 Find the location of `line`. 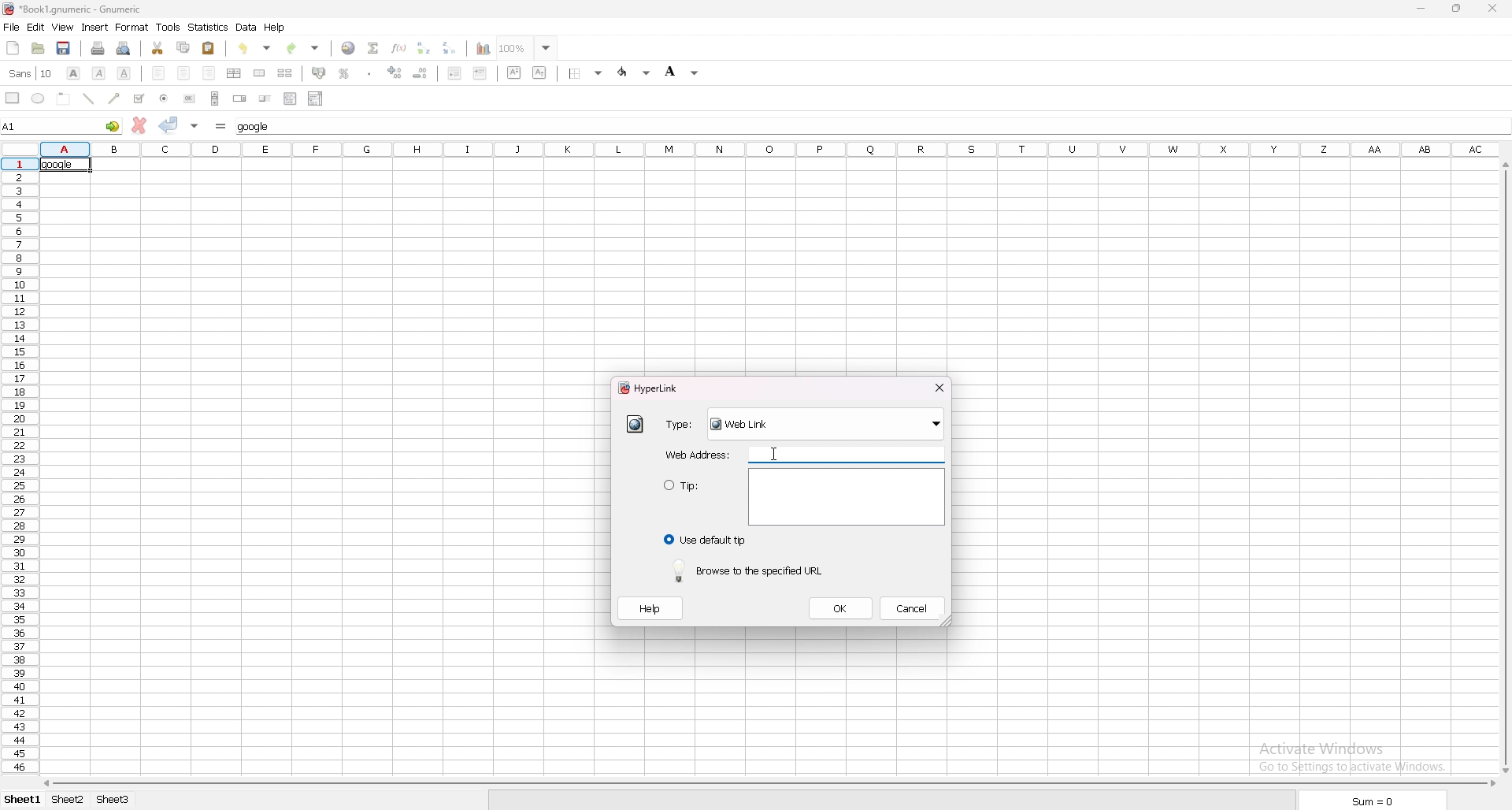

line is located at coordinates (90, 97).